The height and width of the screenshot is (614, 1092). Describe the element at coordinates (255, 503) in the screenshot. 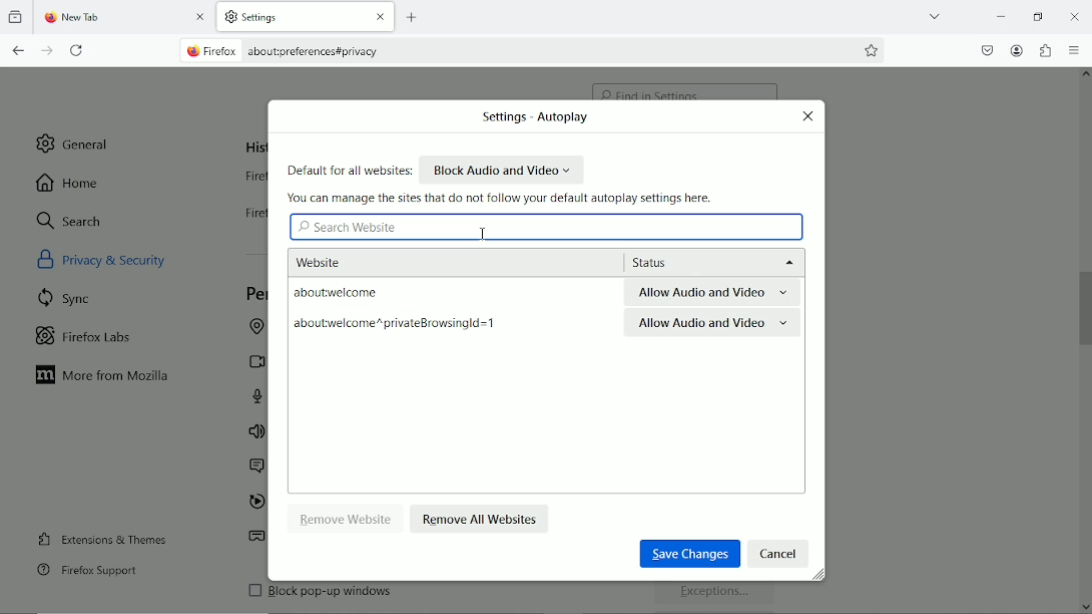

I see `autoplay` at that location.